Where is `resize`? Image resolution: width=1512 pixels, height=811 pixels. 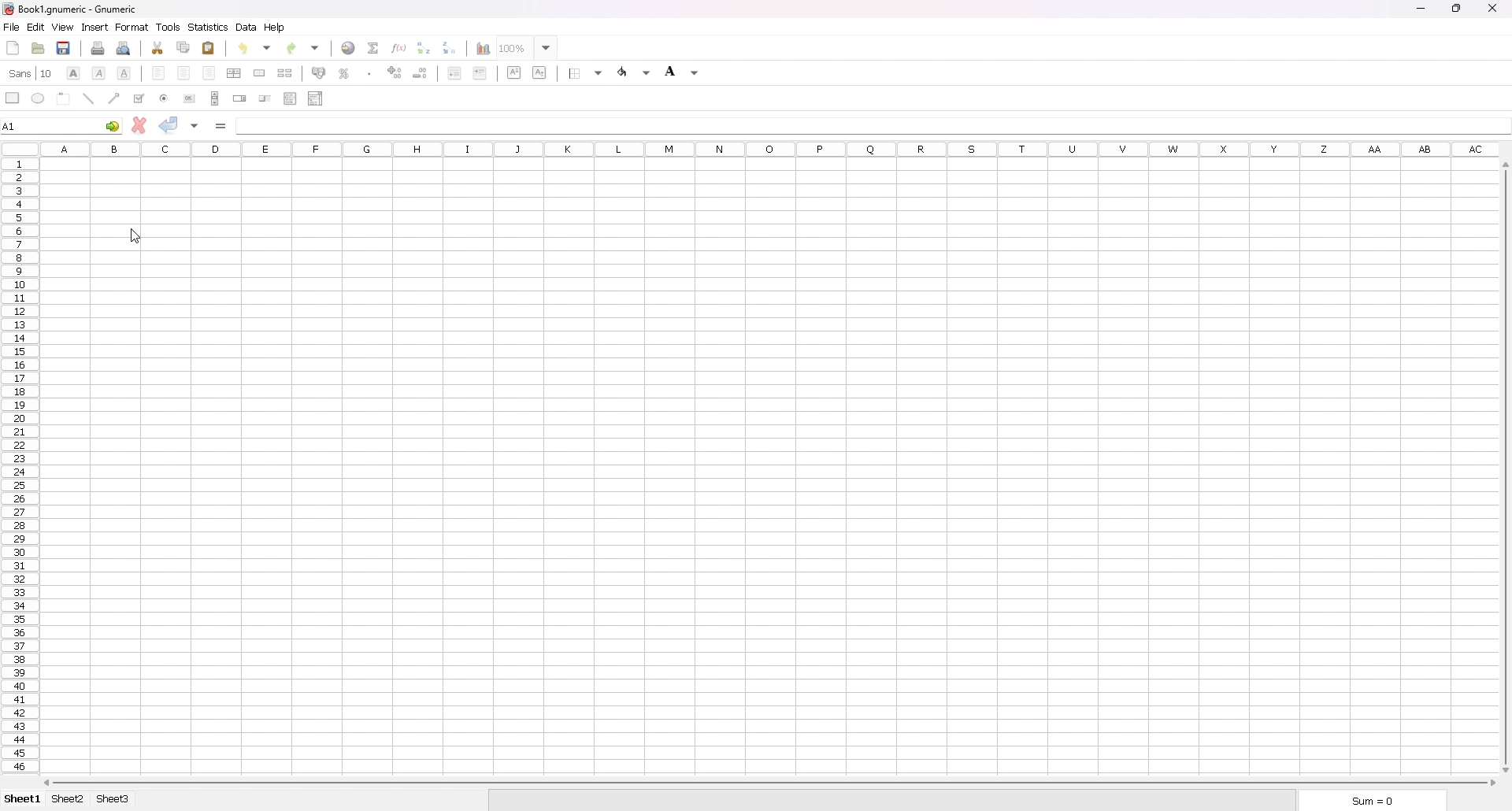
resize is located at coordinates (1455, 9).